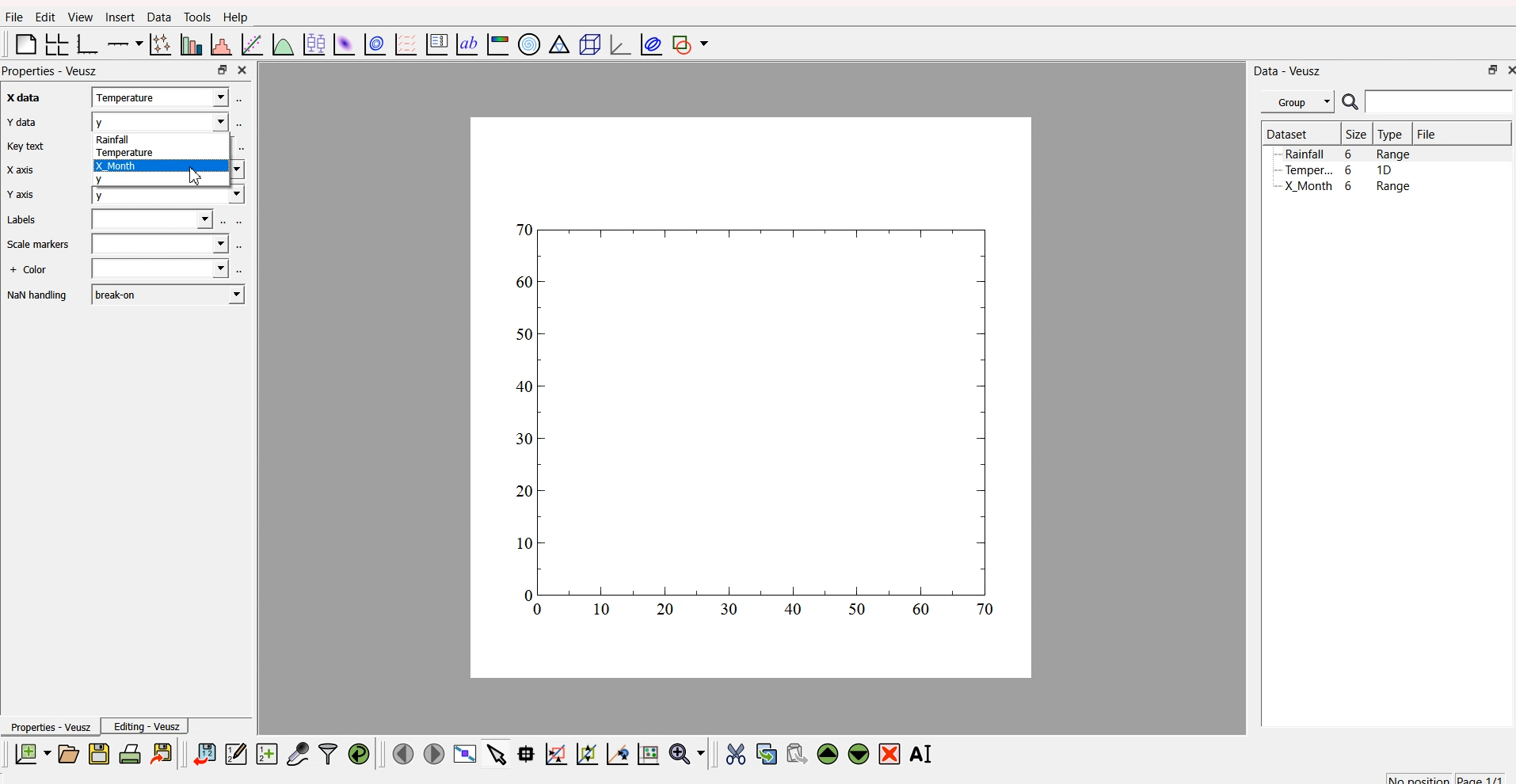  I want to click on Data - Veusz, so click(1289, 70).